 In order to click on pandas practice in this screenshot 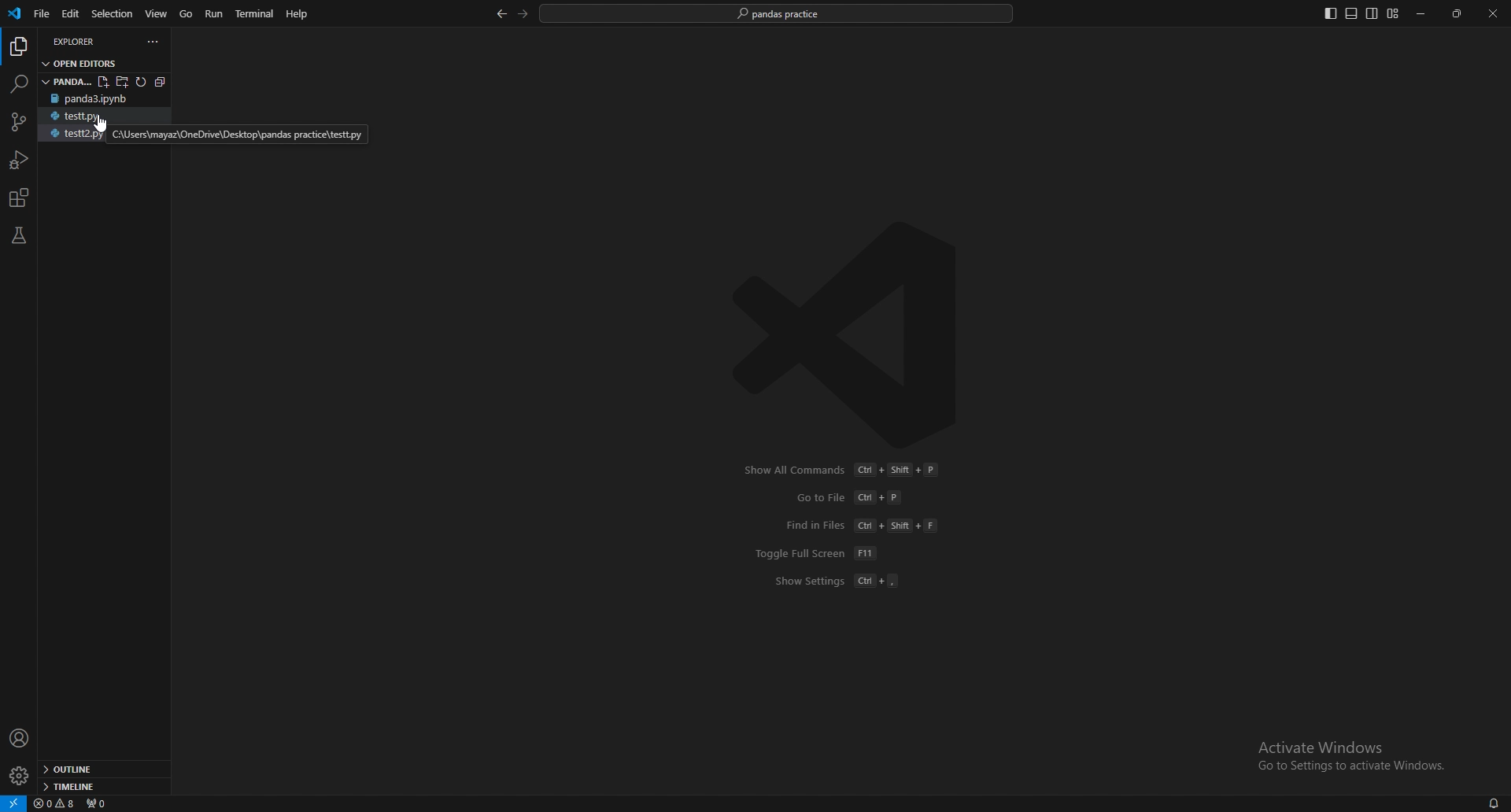, I will do `click(778, 14)`.